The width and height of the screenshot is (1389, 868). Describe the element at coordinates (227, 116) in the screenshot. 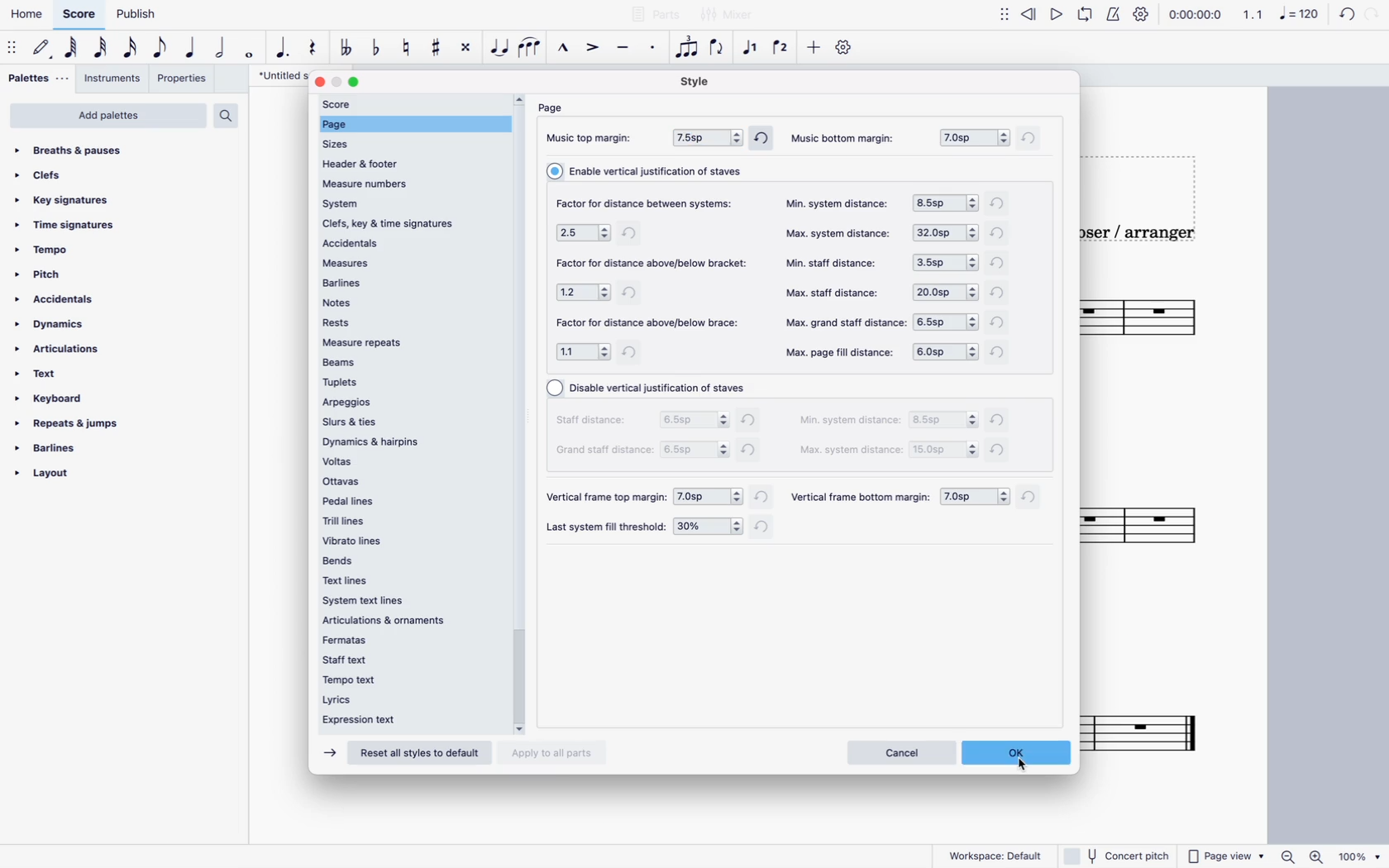

I see `search` at that location.